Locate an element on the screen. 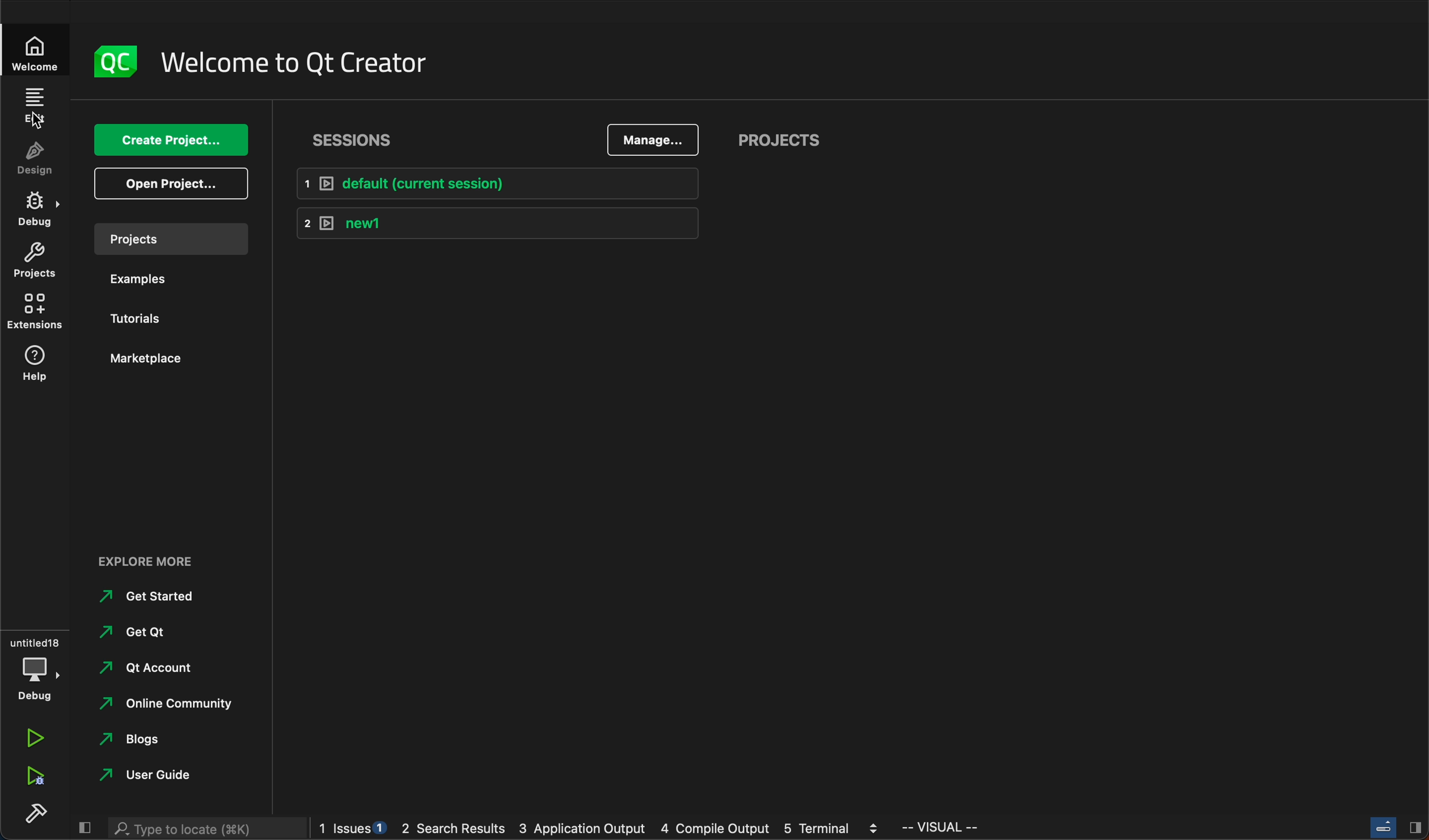 Image resolution: width=1429 pixels, height=840 pixels. issues is located at coordinates (349, 830).